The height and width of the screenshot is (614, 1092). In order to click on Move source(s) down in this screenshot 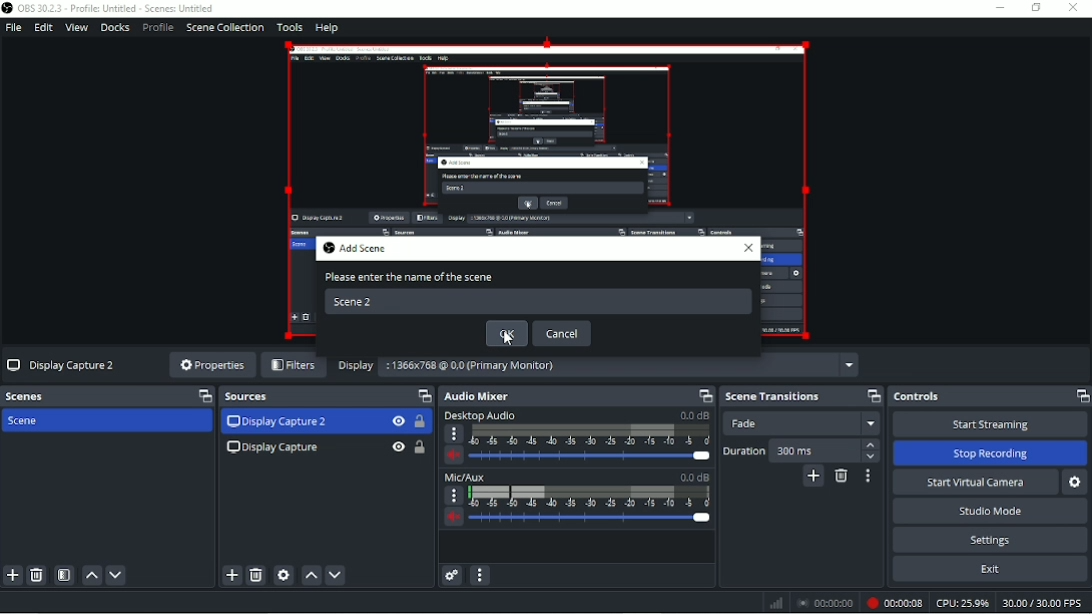, I will do `click(335, 575)`.